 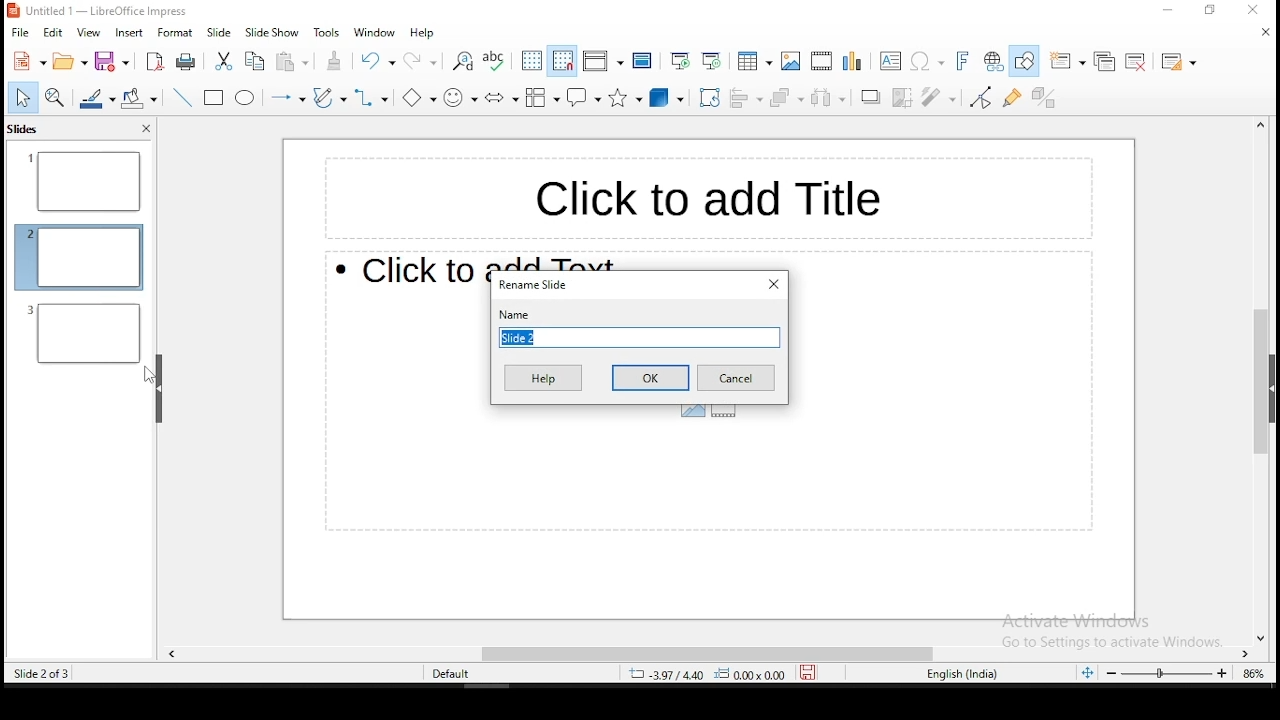 I want to click on format, so click(x=176, y=32).